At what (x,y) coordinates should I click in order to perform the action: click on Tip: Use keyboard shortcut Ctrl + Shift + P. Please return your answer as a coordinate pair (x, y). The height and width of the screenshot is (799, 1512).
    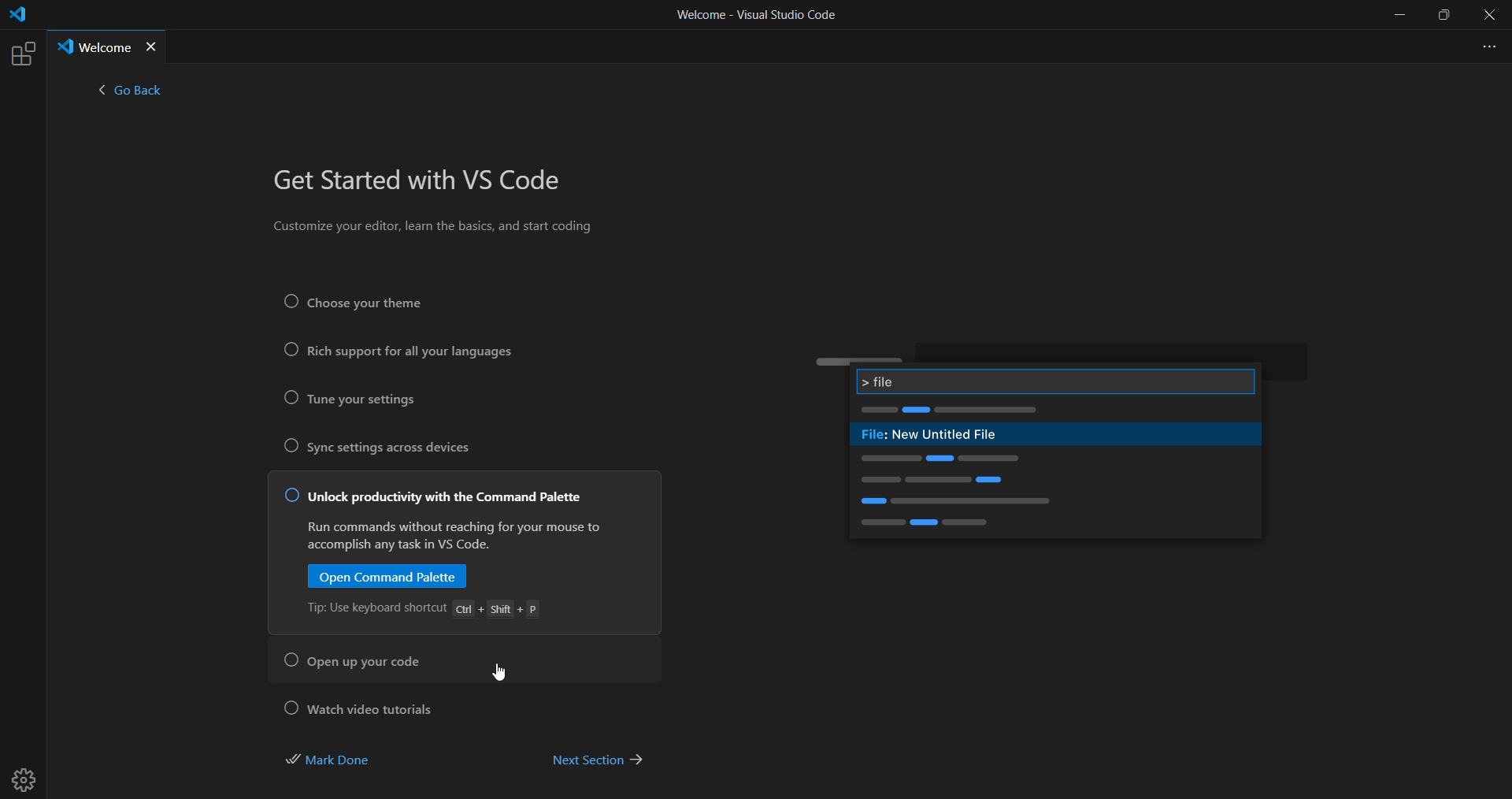
    Looking at the image, I should click on (426, 612).